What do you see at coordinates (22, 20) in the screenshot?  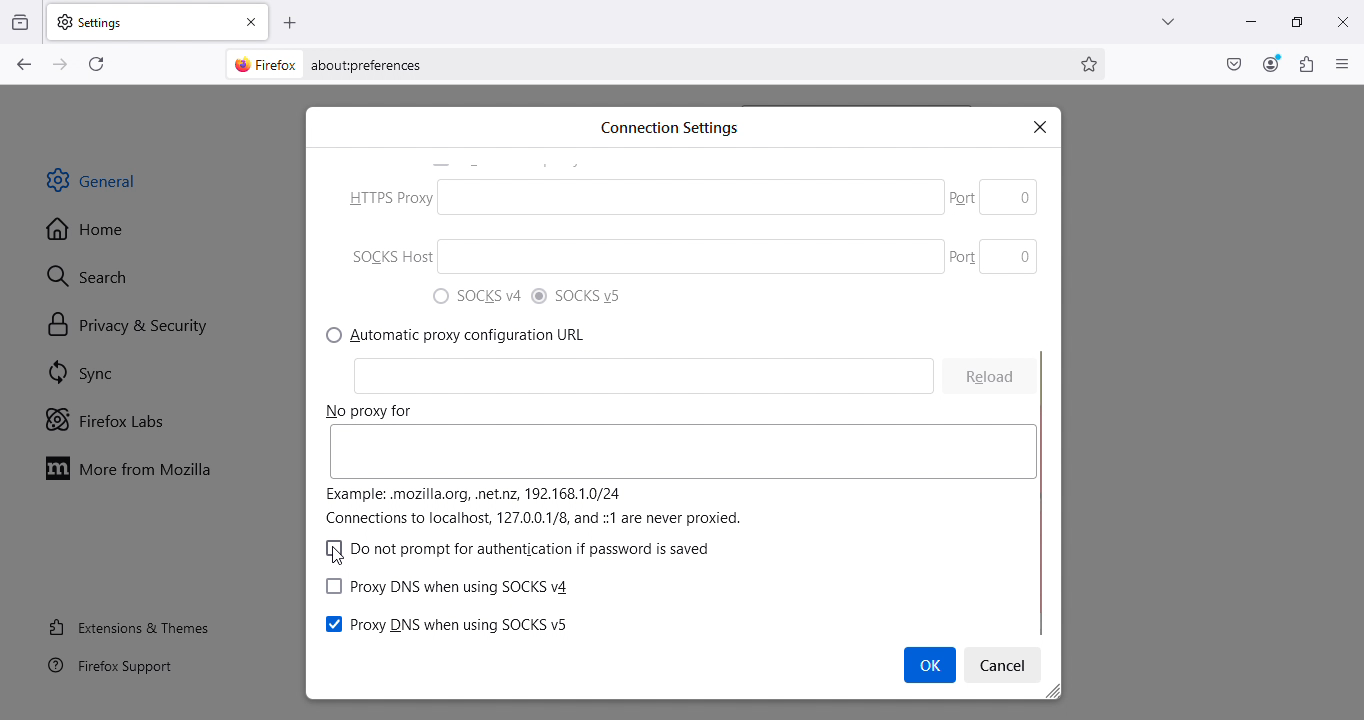 I see `View recent browsing across windows and devices` at bounding box center [22, 20].